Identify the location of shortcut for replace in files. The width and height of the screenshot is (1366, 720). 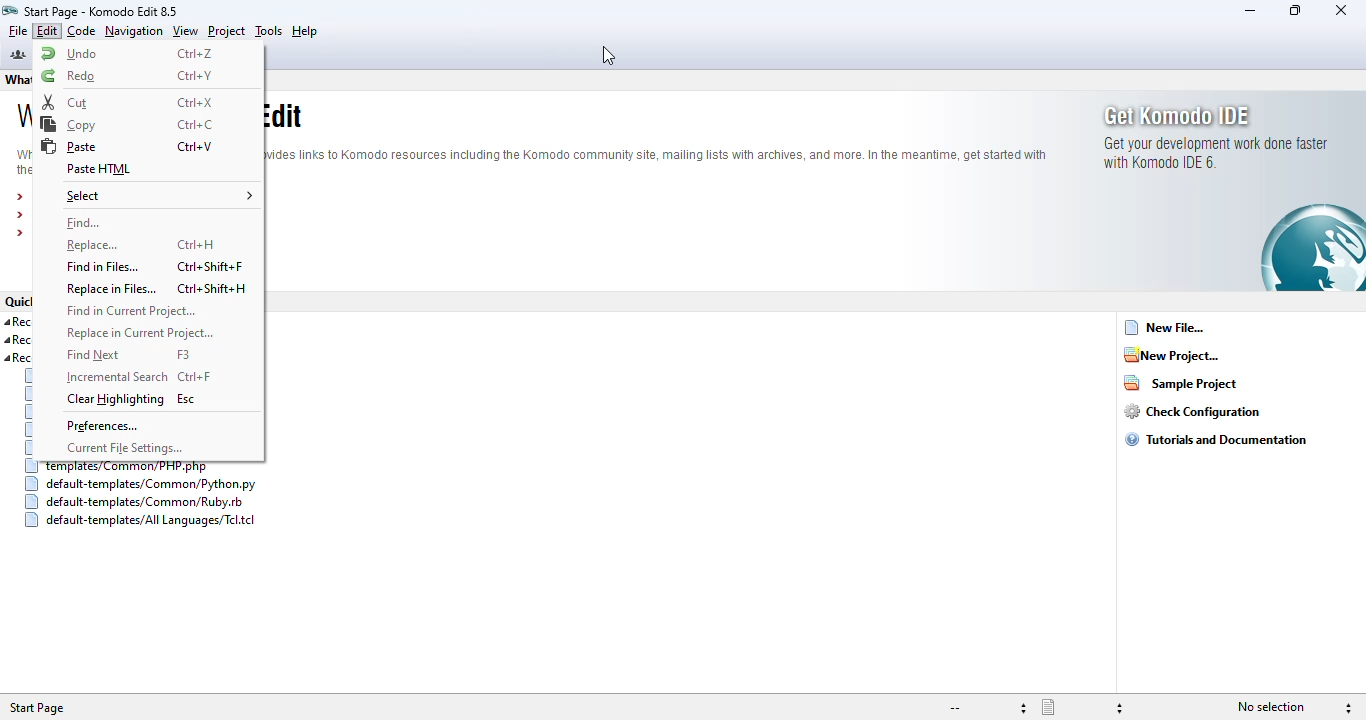
(212, 289).